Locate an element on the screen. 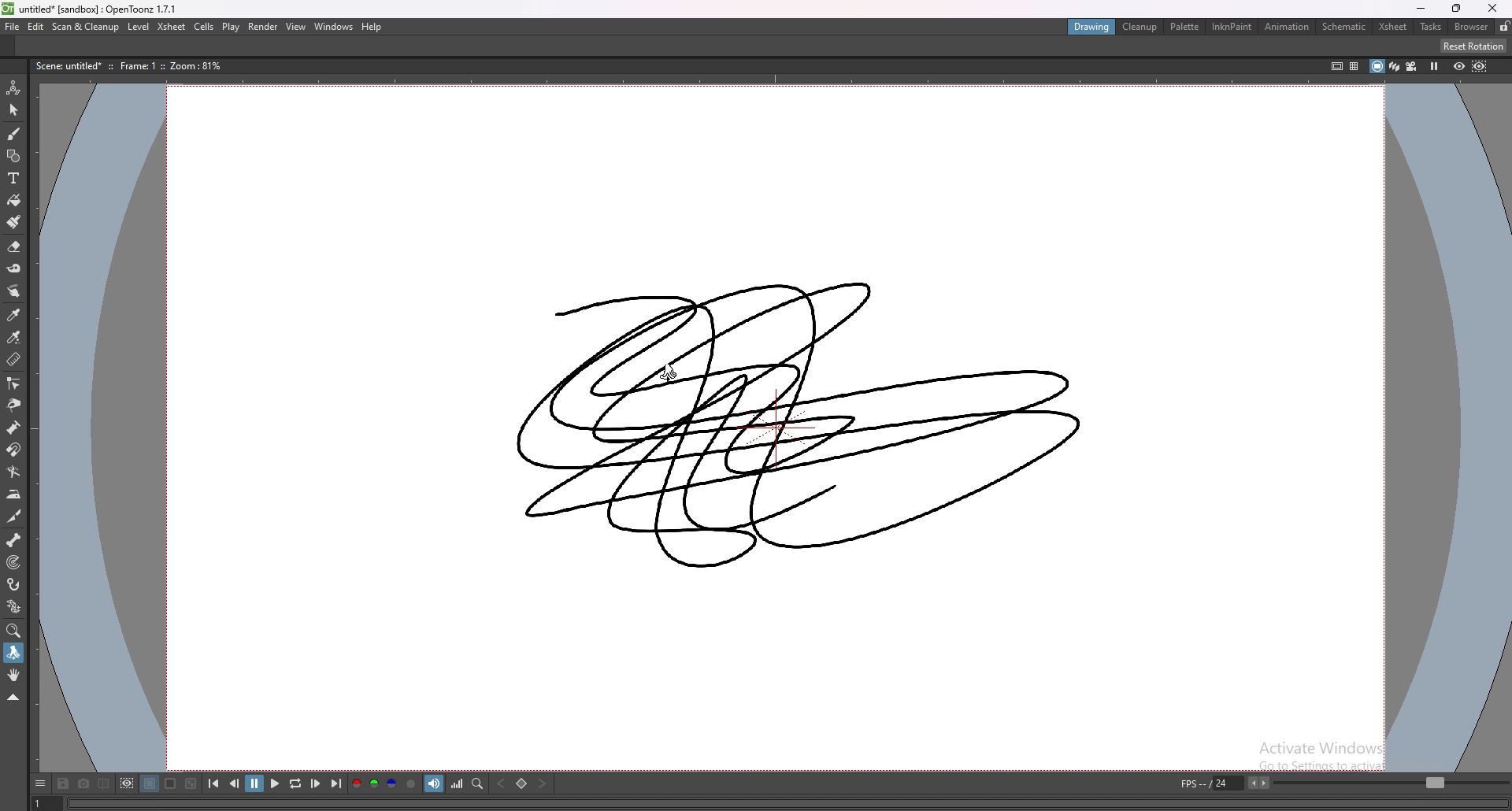 This screenshot has width=1512, height=811. plastic is located at coordinates (13, 607).